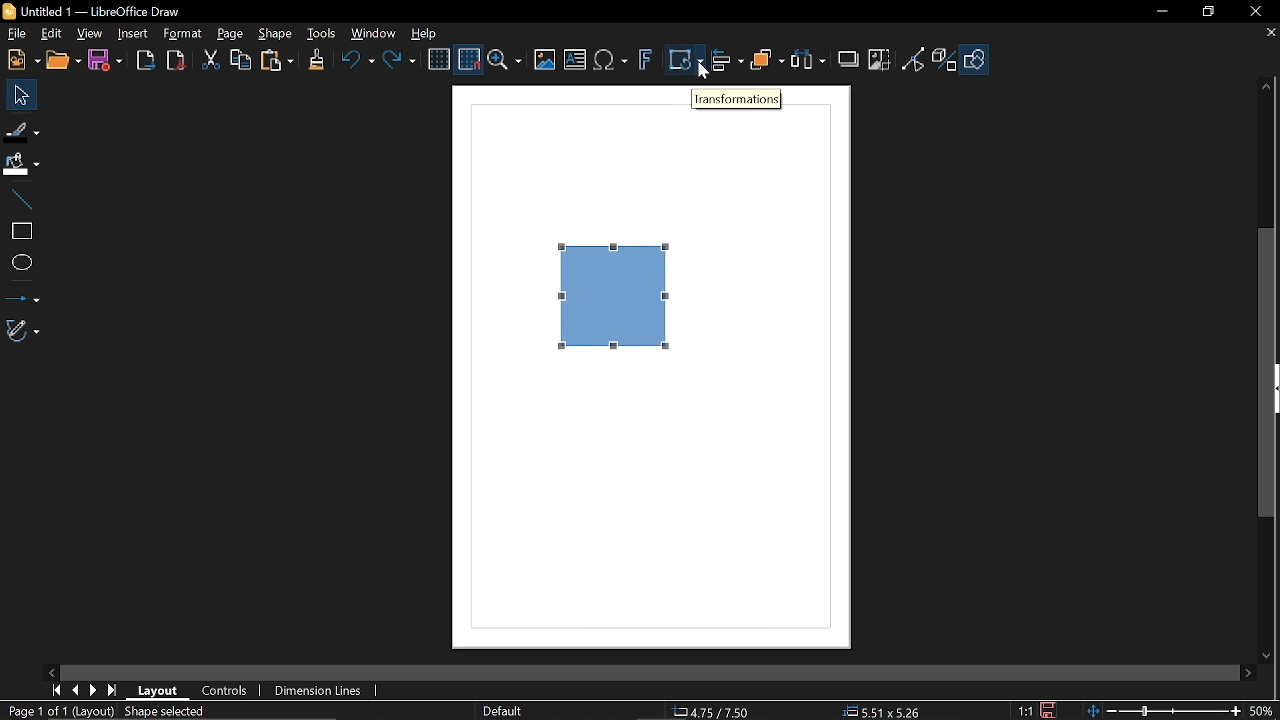  I want to click on Insert, so click(131, 33).